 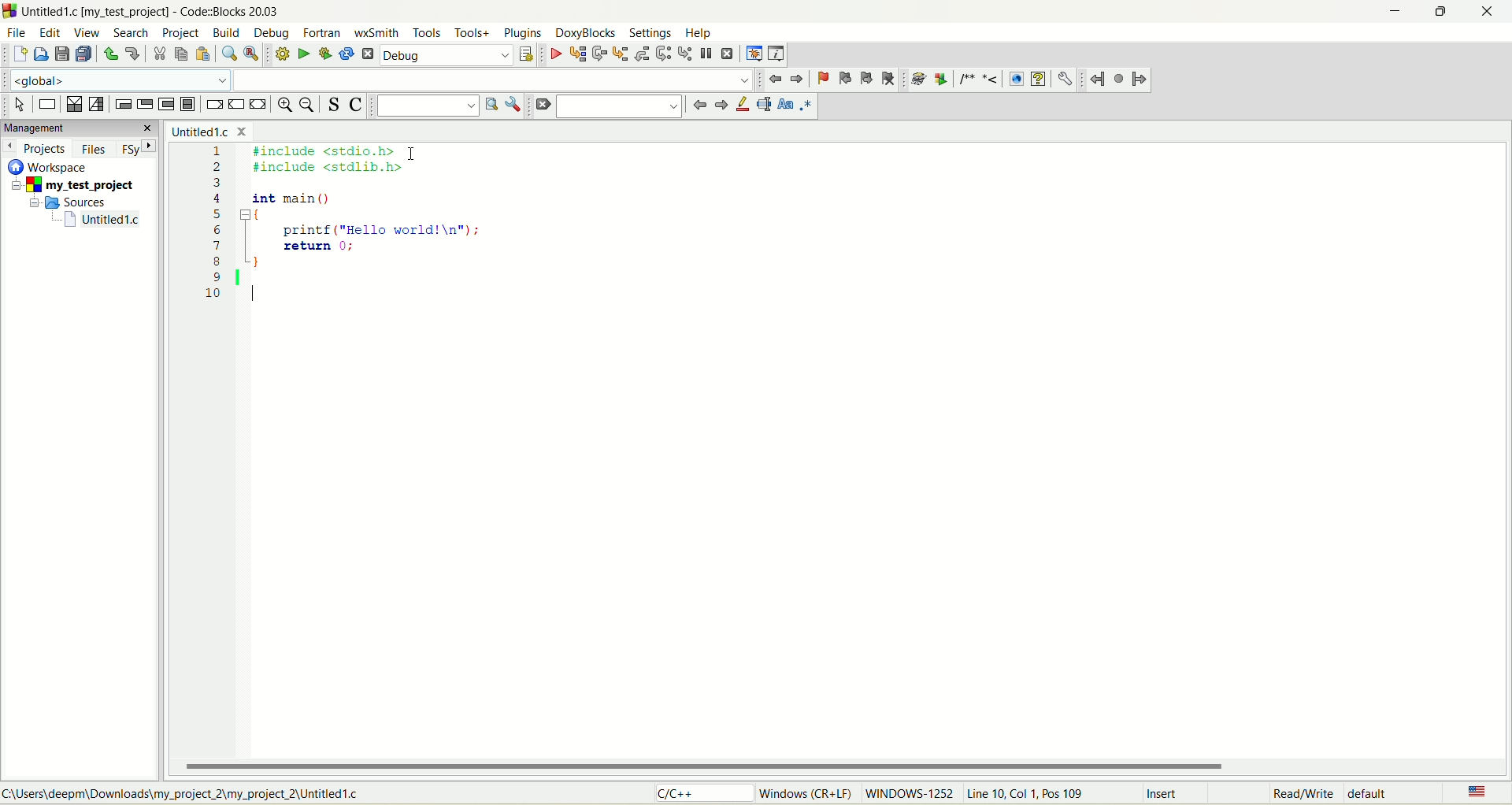 I want to click on minimize, so click(x=1399, y=10).